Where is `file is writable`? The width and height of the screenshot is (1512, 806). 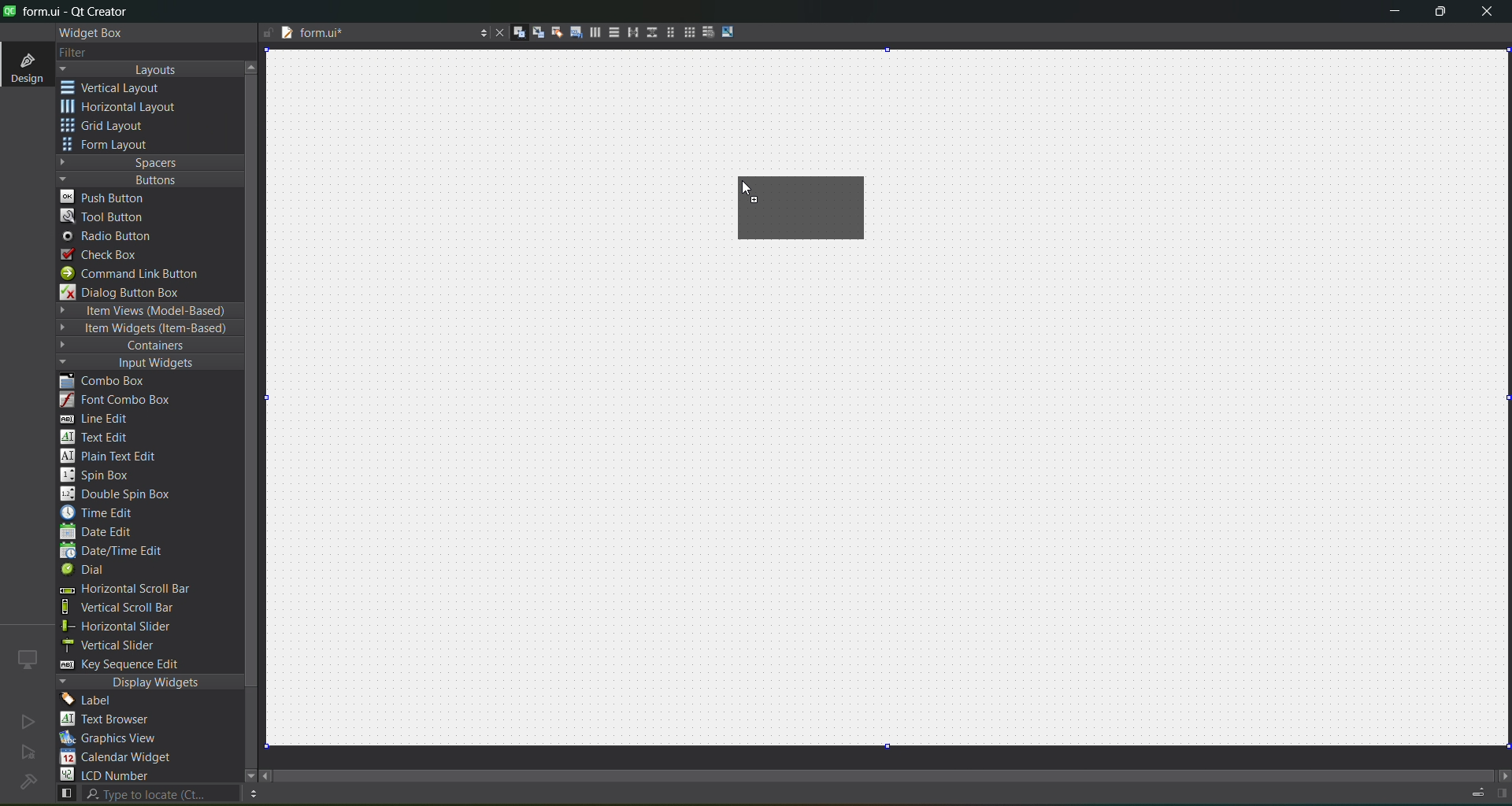
file is writable is located at coordinates (268, 34).